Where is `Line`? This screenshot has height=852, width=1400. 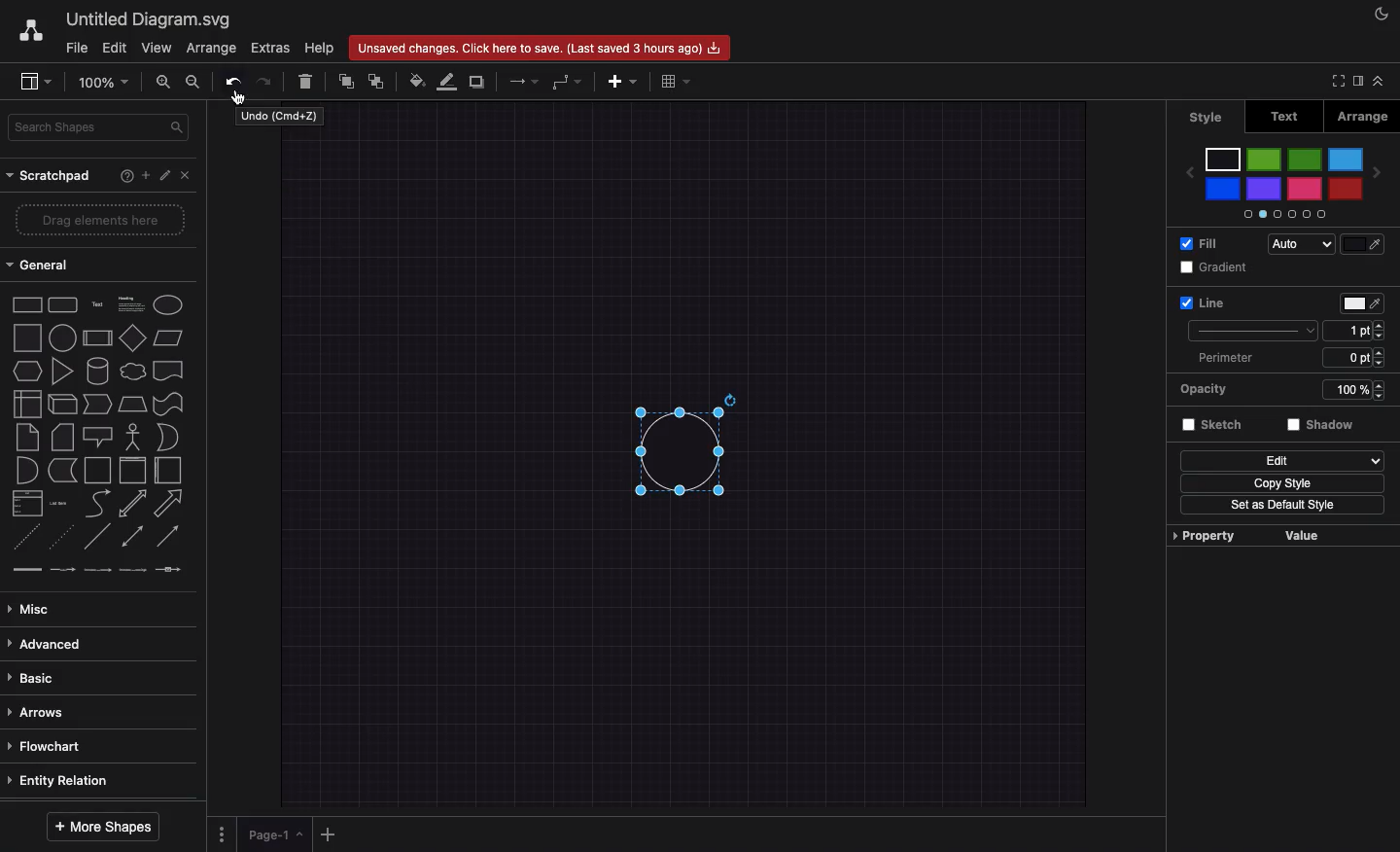
Line is located at coordinates (1255, 333).